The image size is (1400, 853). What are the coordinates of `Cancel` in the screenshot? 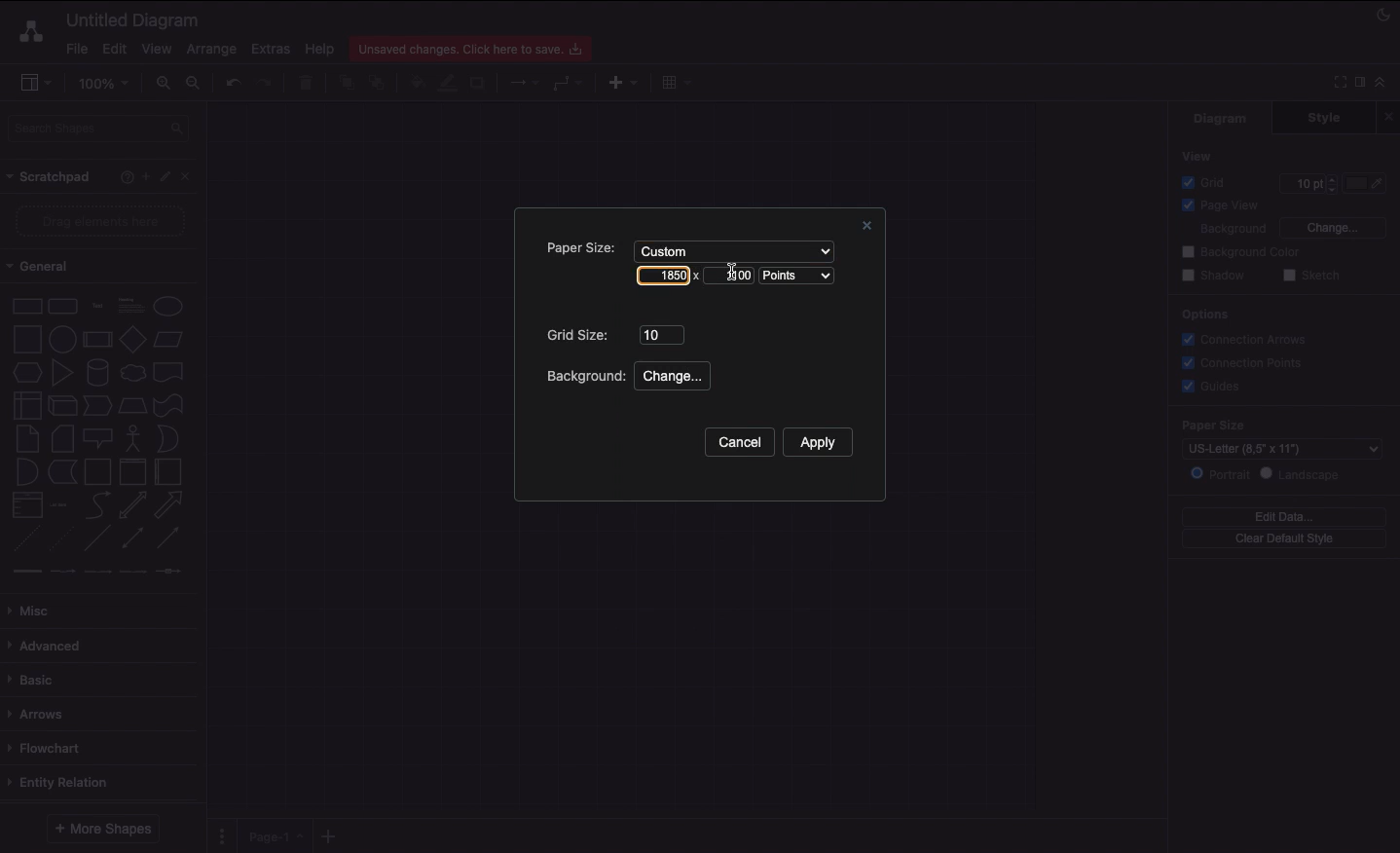 It's located at (738, 443).